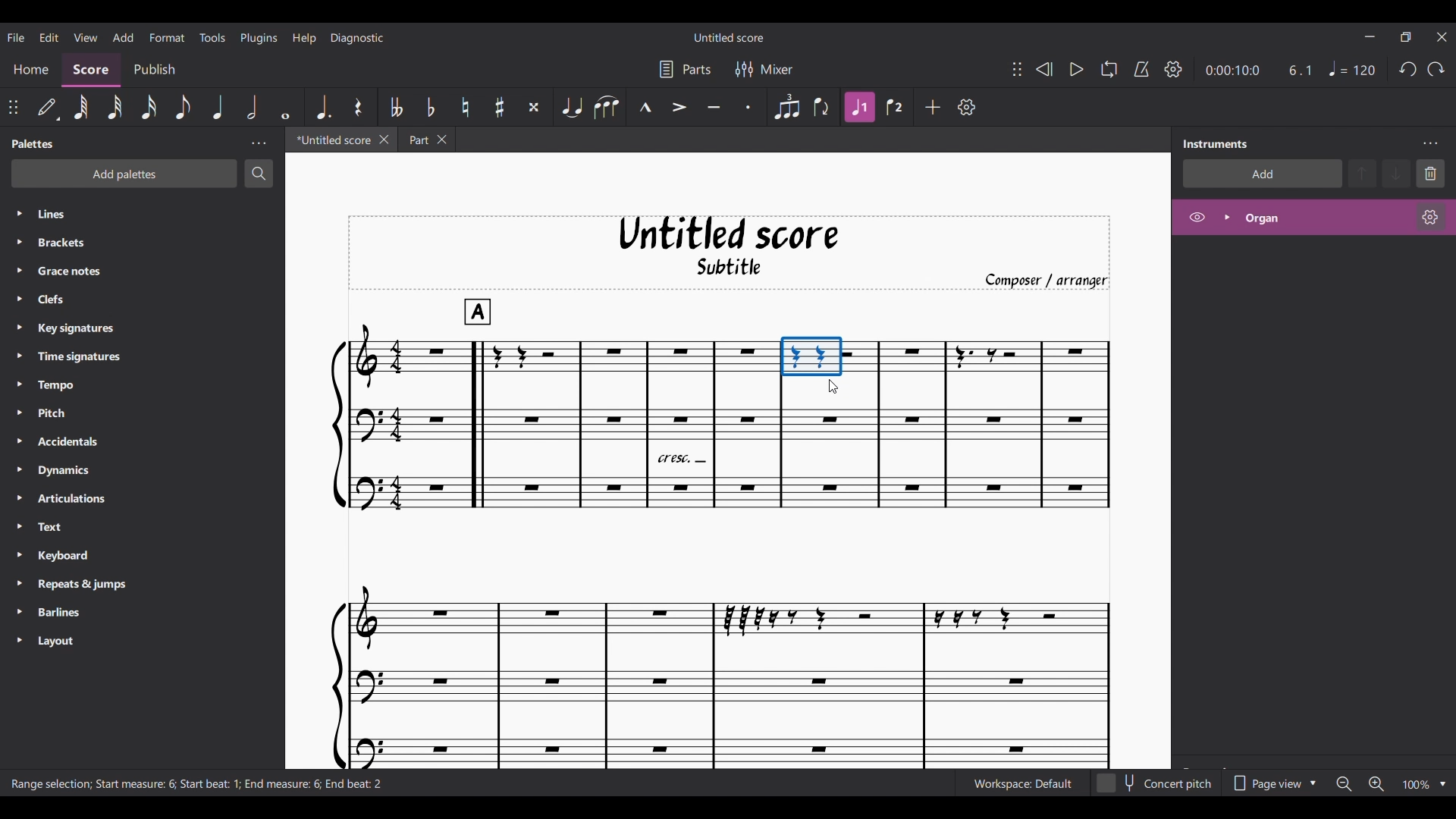 The height and width of the screenshot is (819, 1456). Describe the element at coordinates (572, 107) in the screenshot. I see `Tie` at that location.